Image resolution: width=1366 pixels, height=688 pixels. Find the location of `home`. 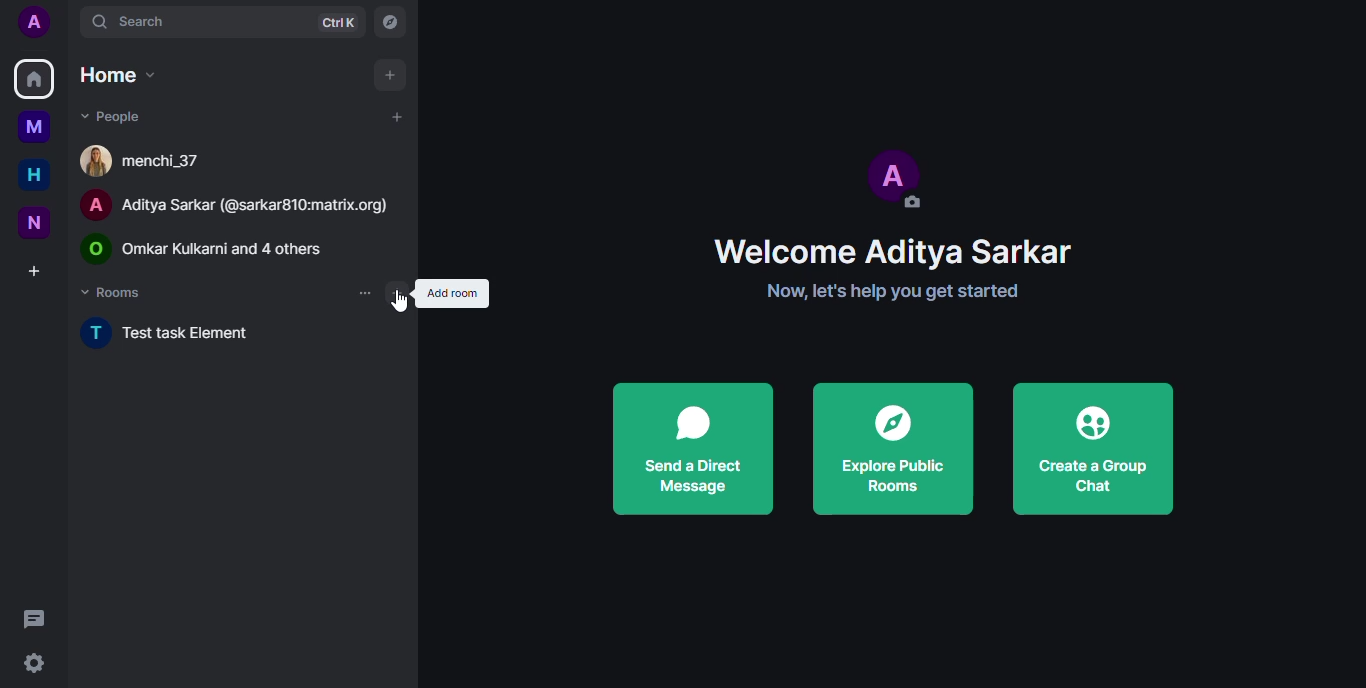

home is located at coordinates (117, 75).